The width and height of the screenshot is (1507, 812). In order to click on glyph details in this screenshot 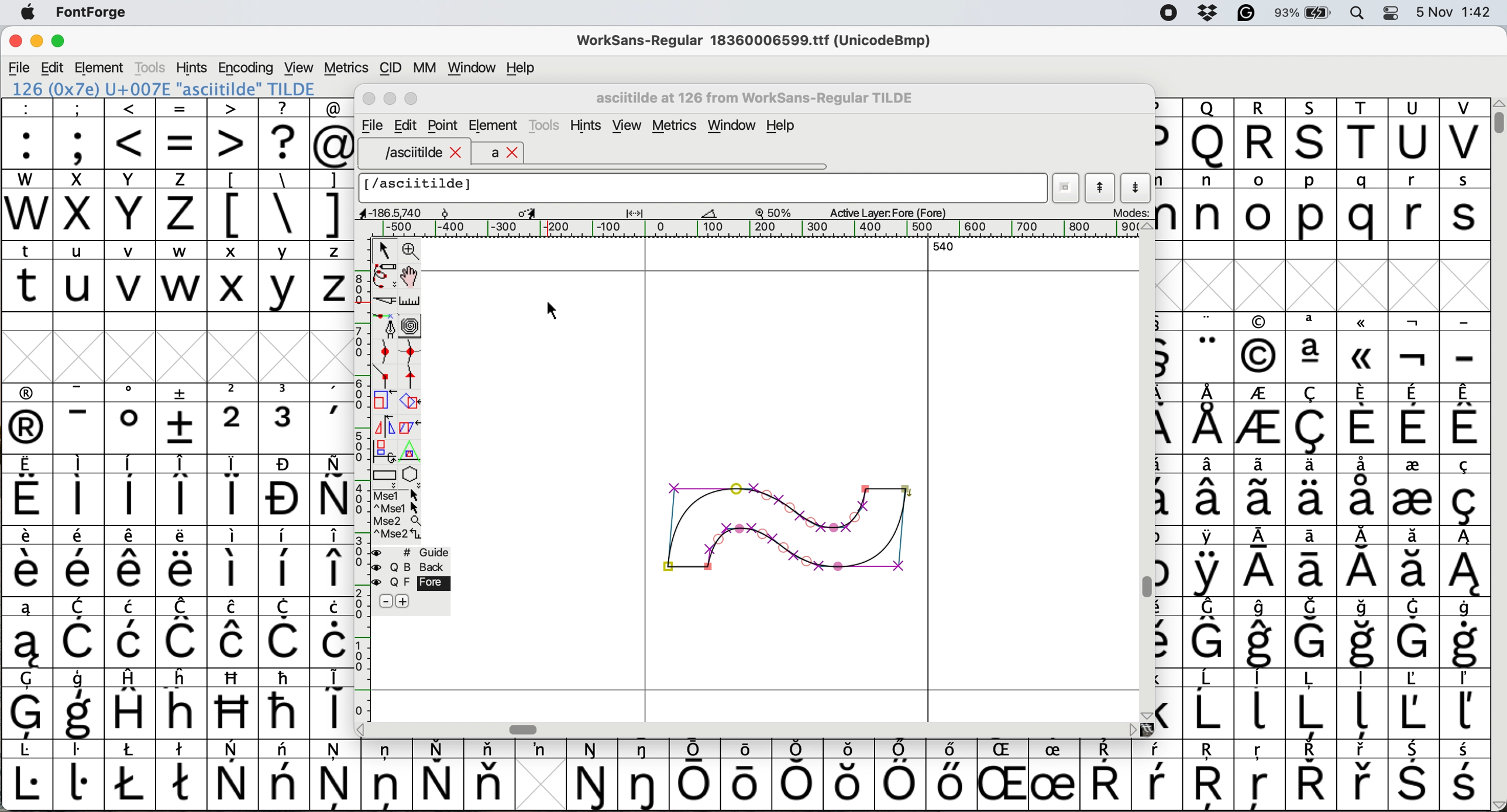, I will do `click(546, 212)`.